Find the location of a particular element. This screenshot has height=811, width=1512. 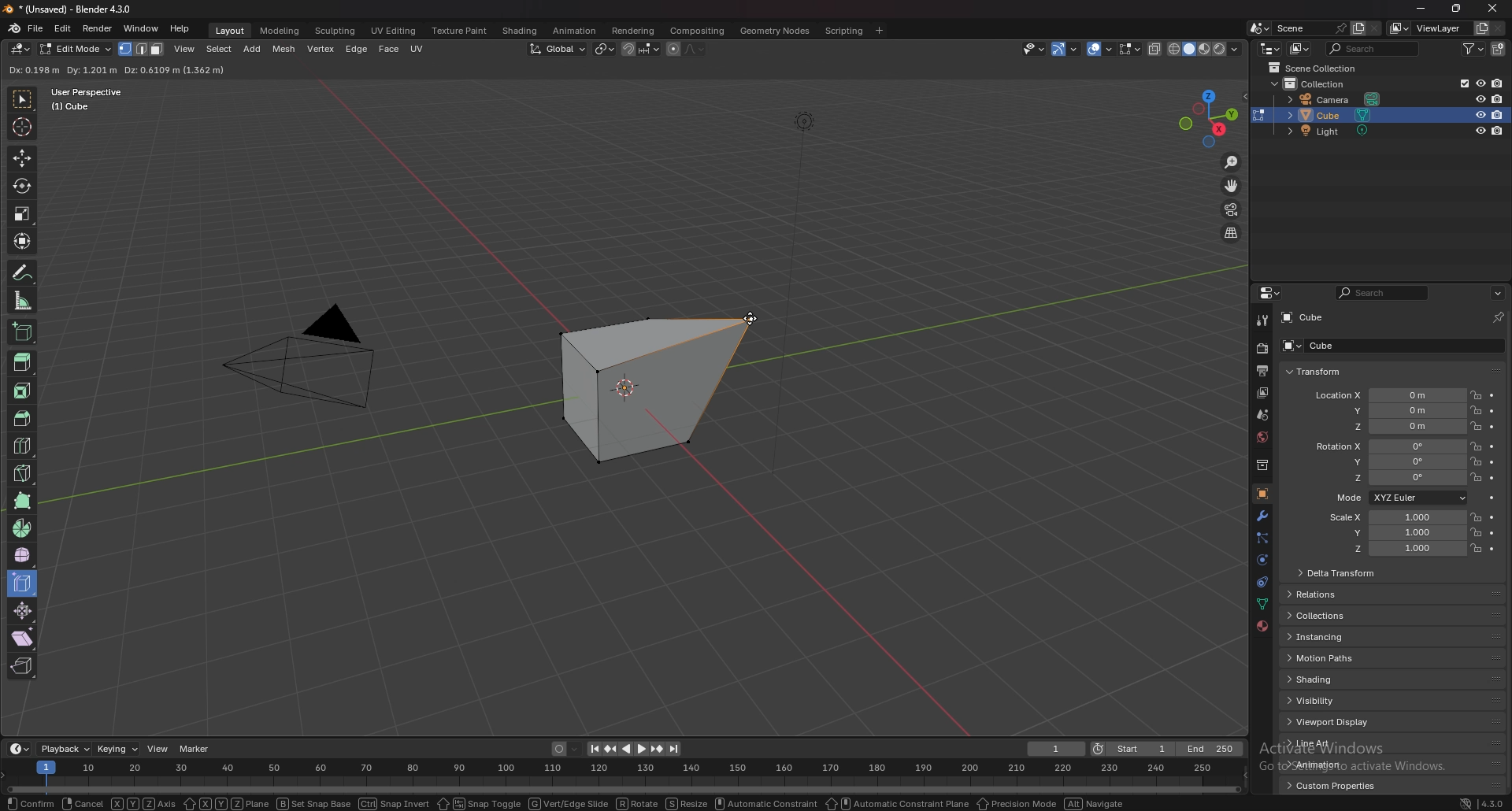

marker is located at coordinates (195, 749).